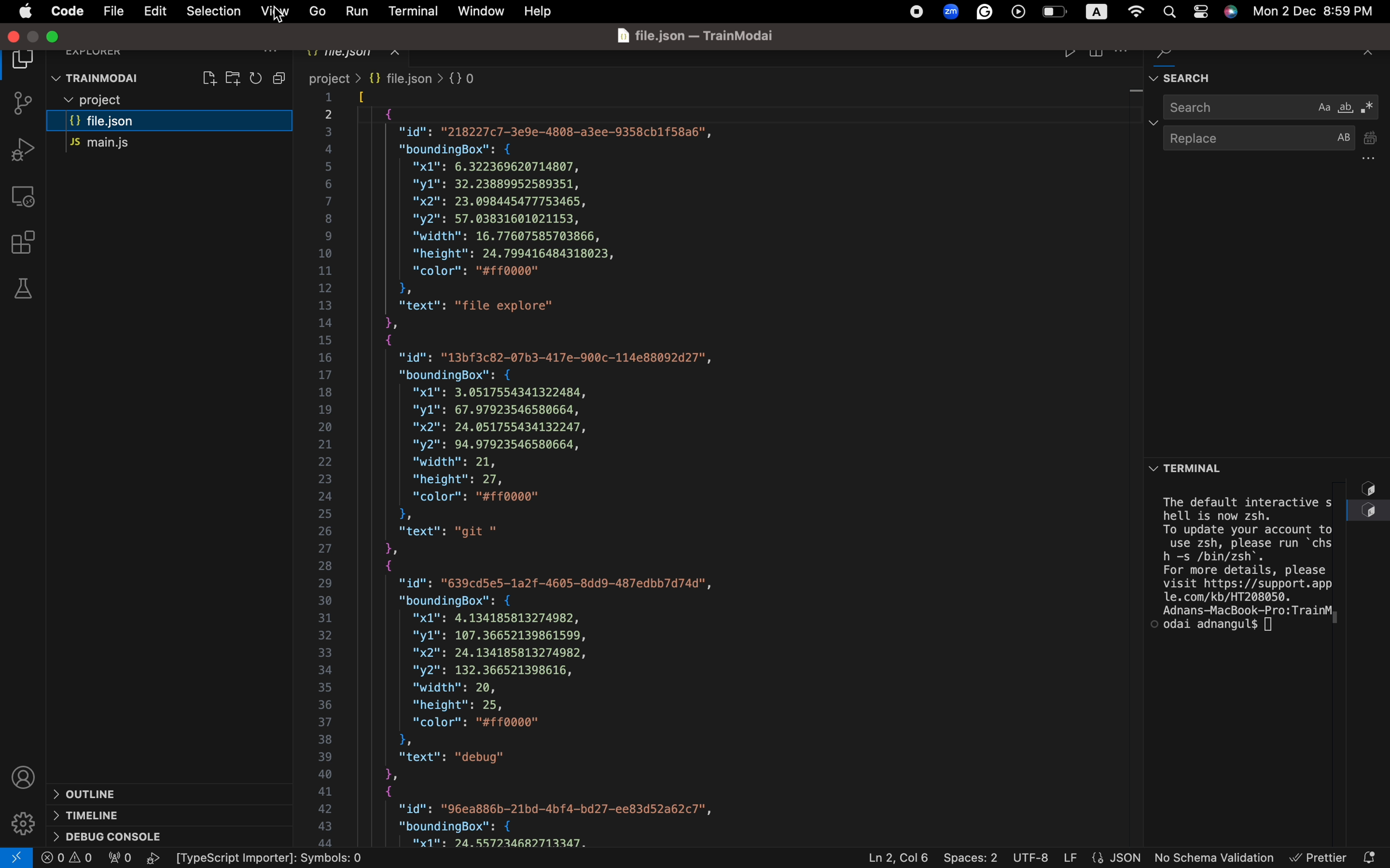  Describe the element at coordinates (24, 777) in the screenshot. I see `profile` at that location.